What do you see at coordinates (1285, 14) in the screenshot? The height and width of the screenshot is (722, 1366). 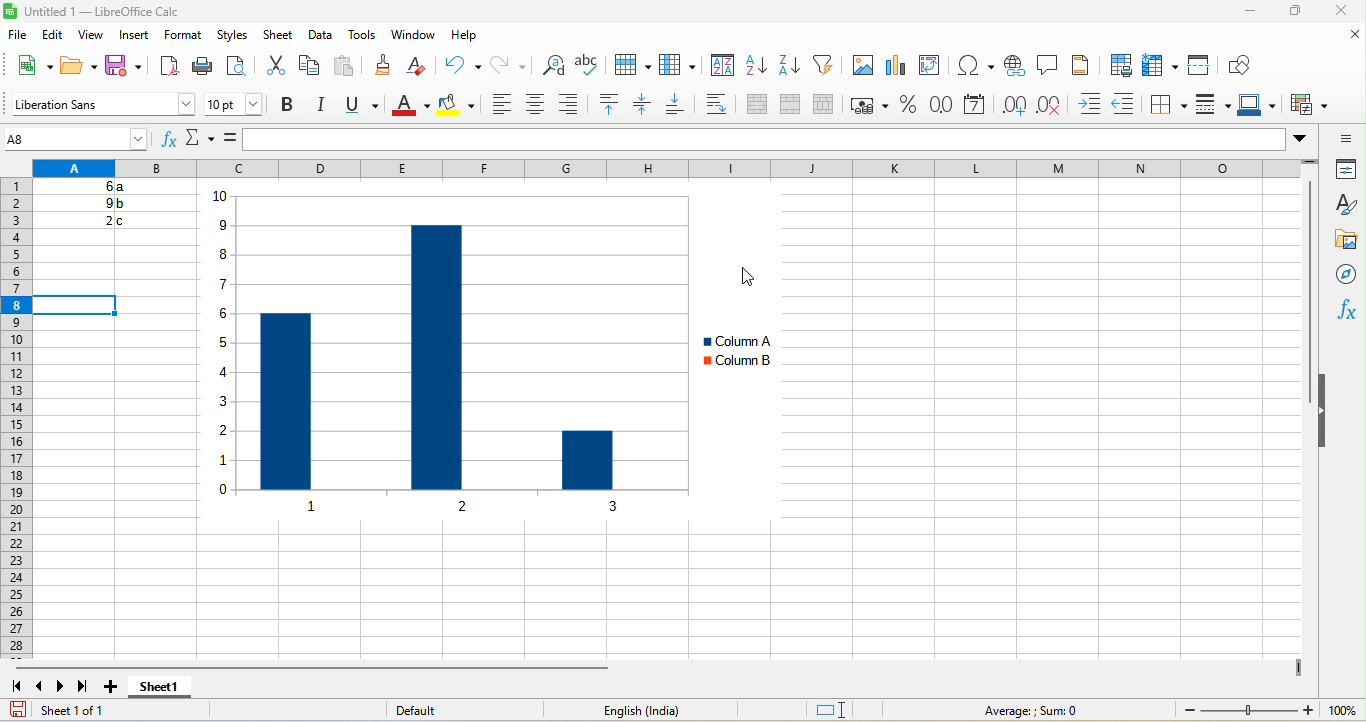 I see `maximize` at bounding box center [1285, 14].